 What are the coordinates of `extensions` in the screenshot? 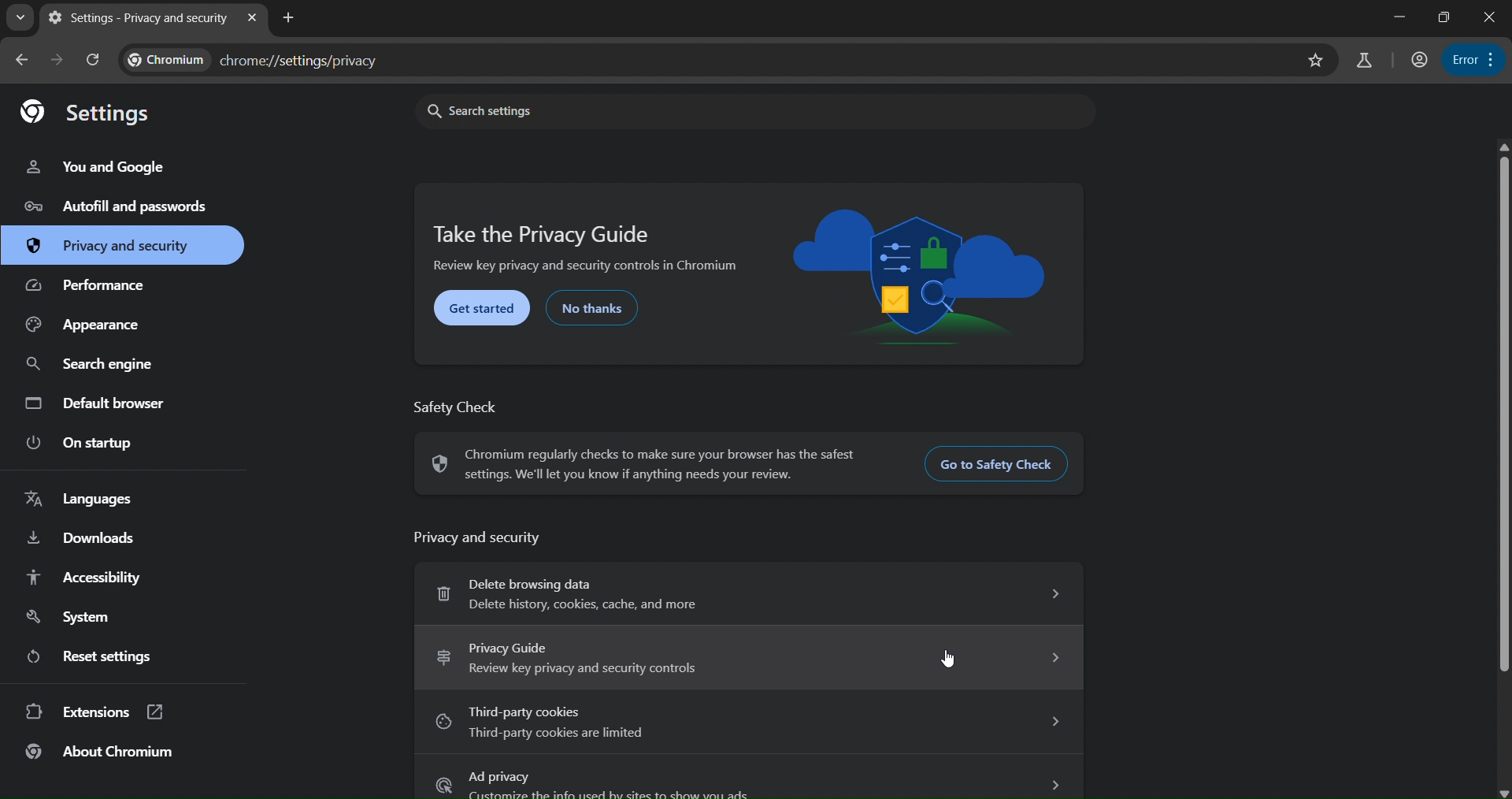 It's located at (95, 712).